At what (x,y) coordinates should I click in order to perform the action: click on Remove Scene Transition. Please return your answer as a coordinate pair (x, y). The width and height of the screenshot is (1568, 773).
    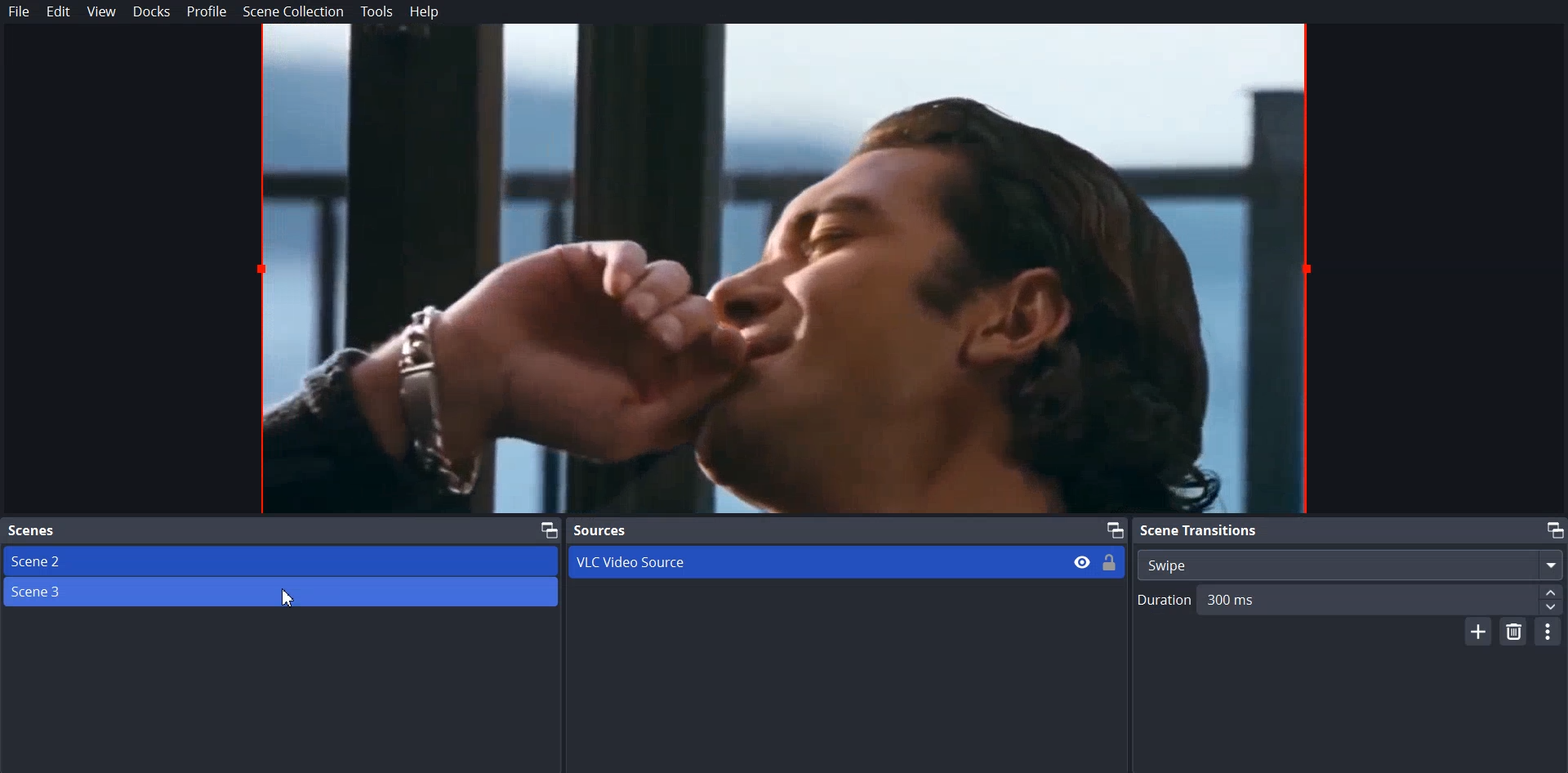
    Looking at the image, I should click on (1515, 633).